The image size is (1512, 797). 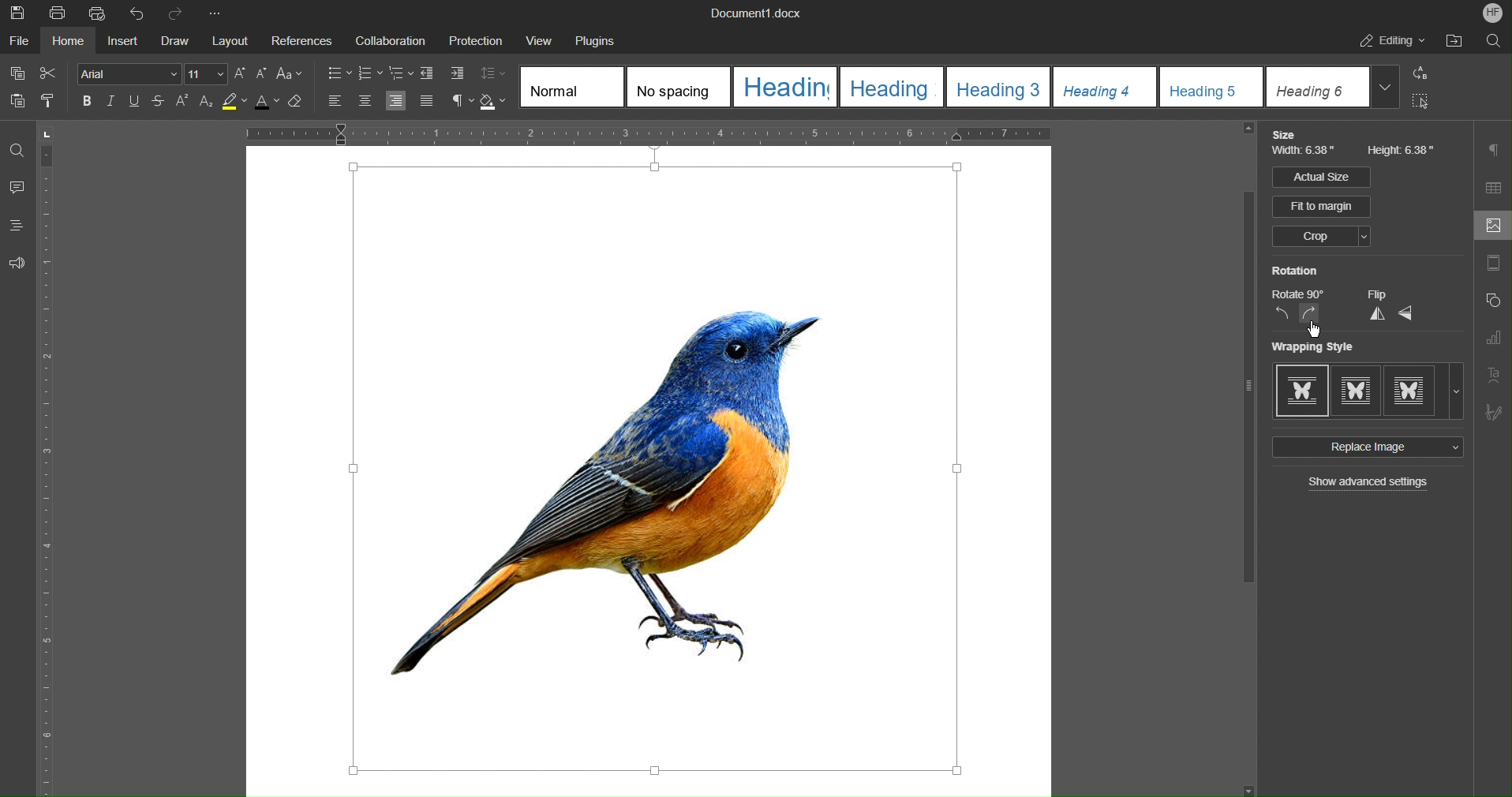 I want to click on Decrease Font Size, so click(x=260, y=74).